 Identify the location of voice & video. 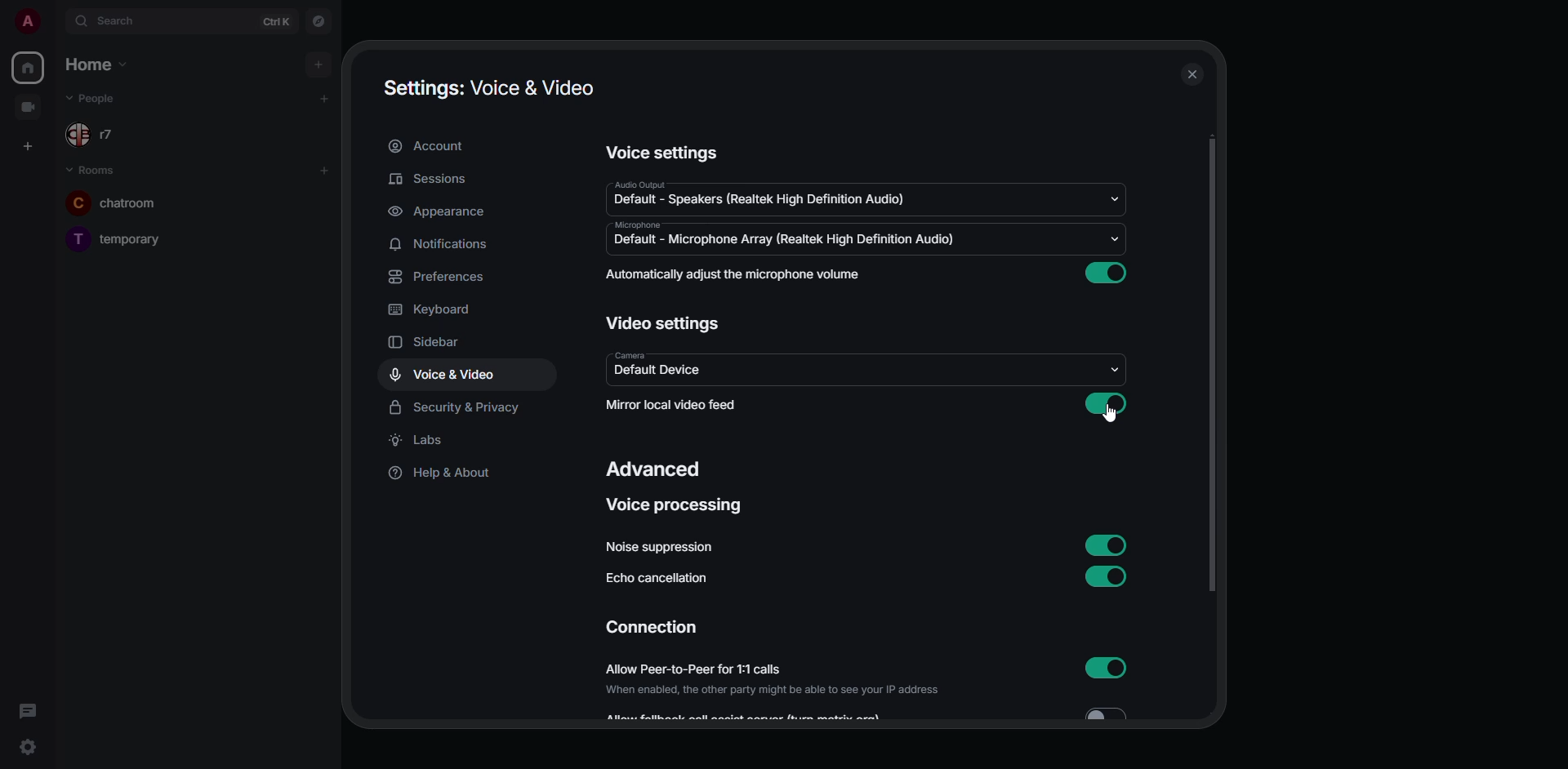
(443, 376).